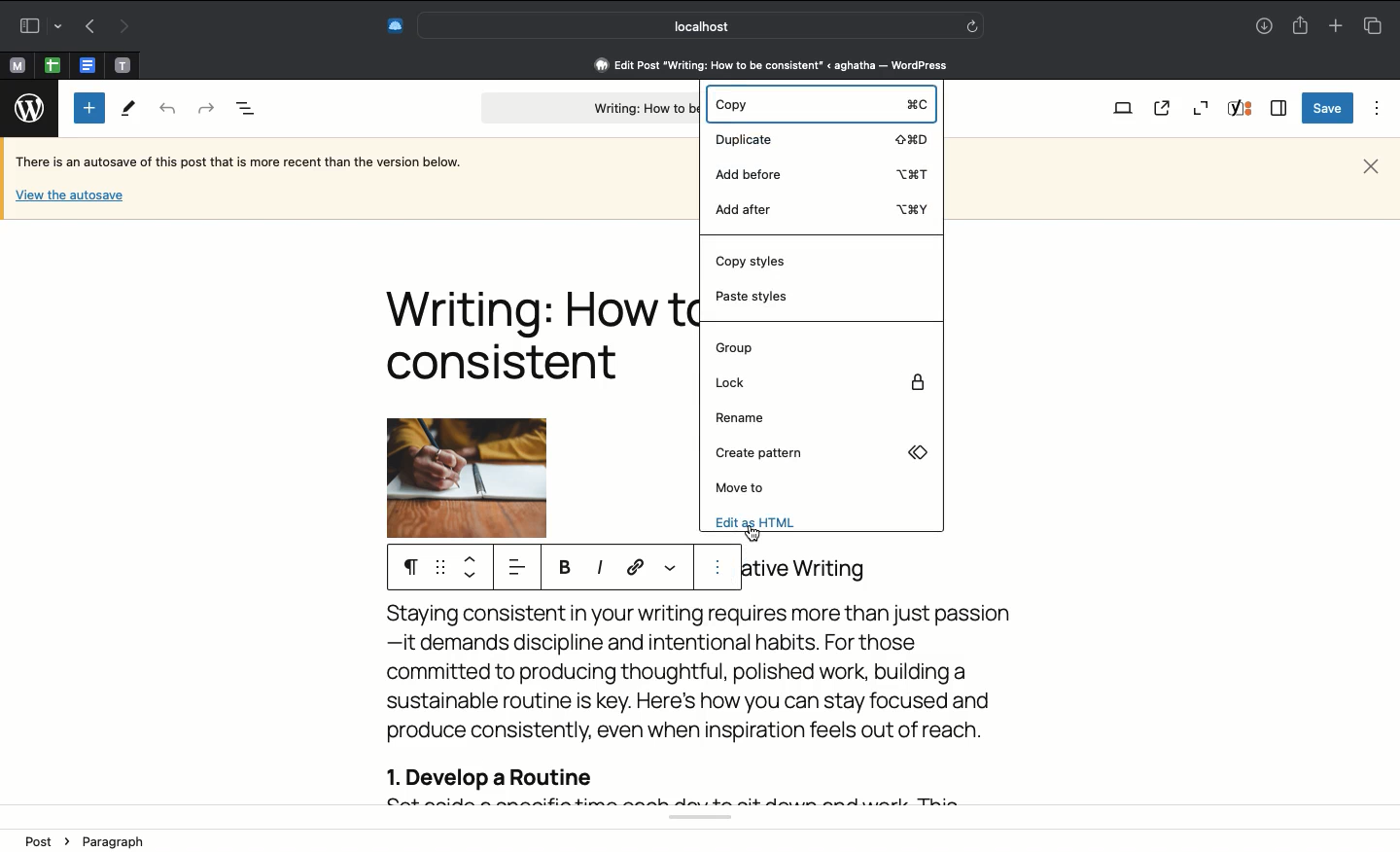  I want to click on Close, so click(1371, 164).